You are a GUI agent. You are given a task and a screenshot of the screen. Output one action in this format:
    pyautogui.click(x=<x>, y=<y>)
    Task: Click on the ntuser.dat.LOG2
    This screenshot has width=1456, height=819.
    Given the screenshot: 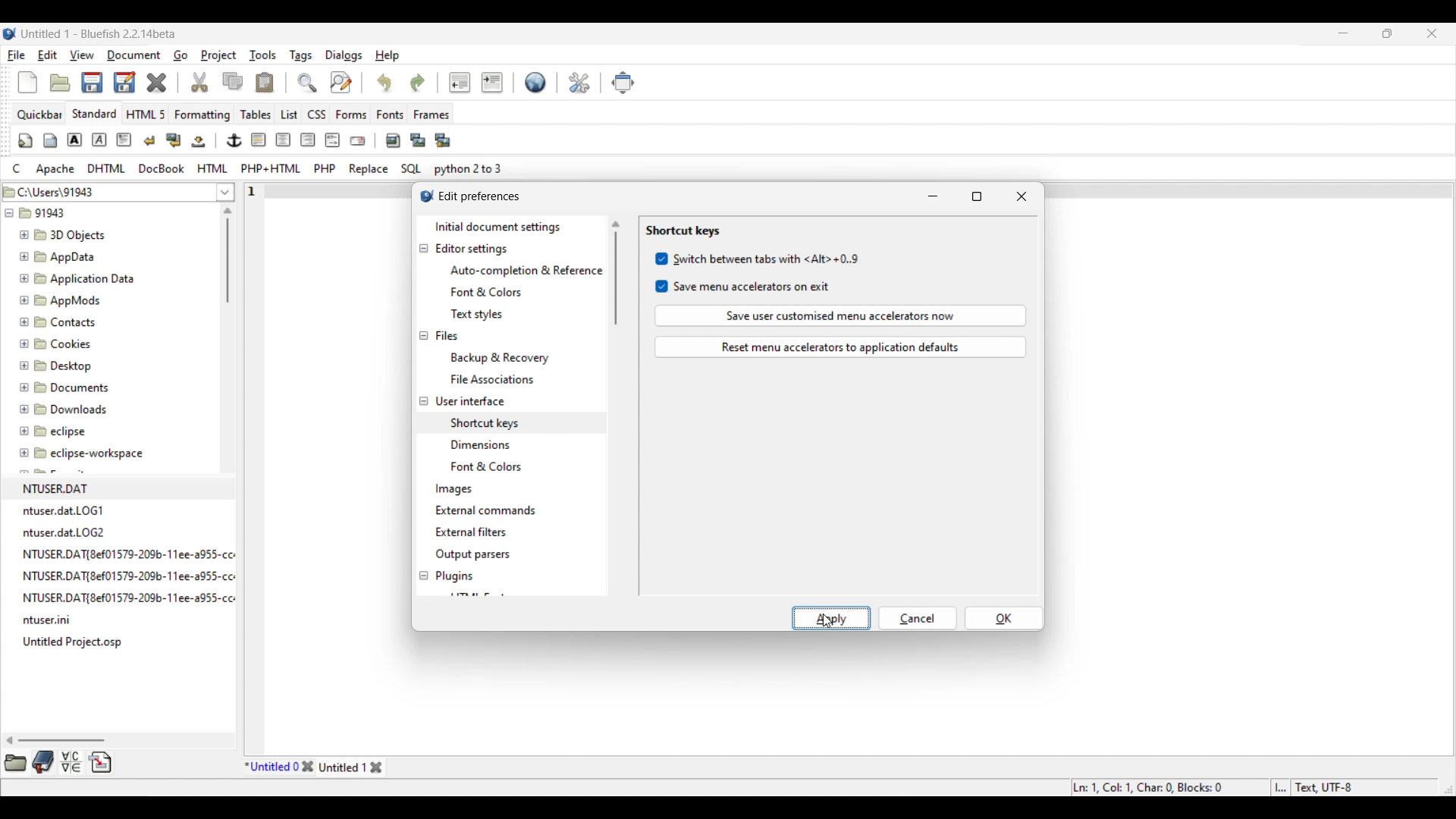 What is the action you would take?
    pyautogui.click(x=67, y=532)
    